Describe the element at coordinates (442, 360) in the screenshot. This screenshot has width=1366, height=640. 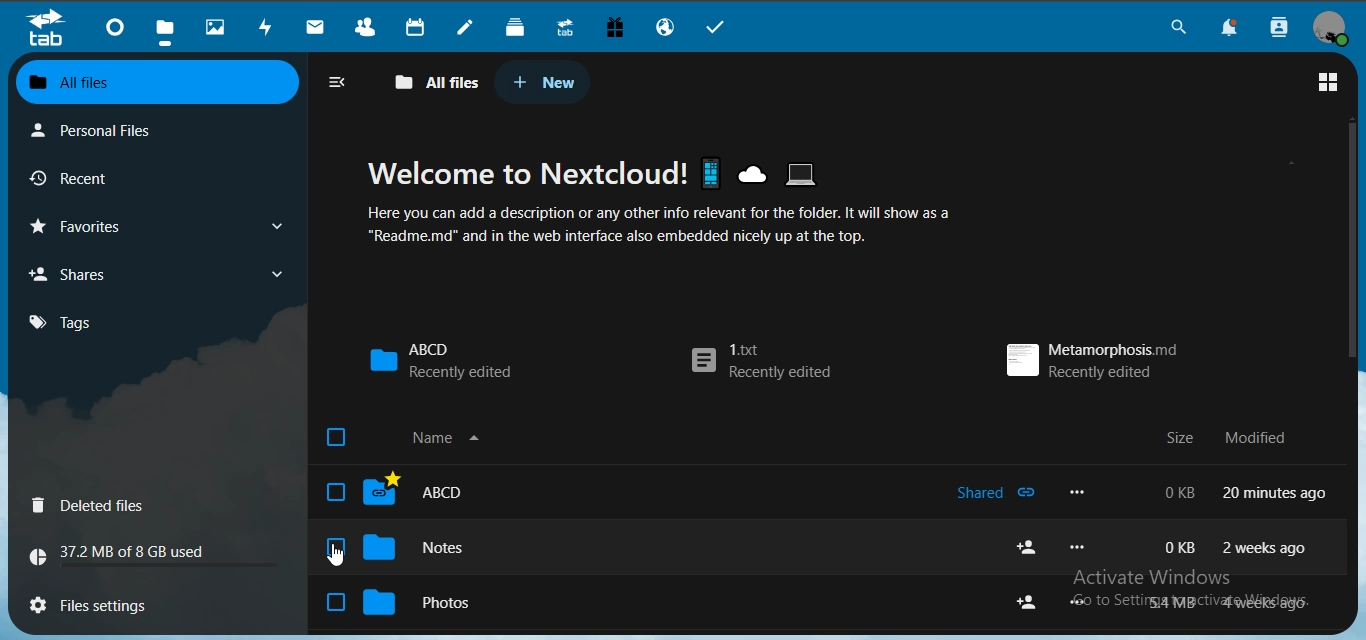
I see `ABCD recently edited` at that location.